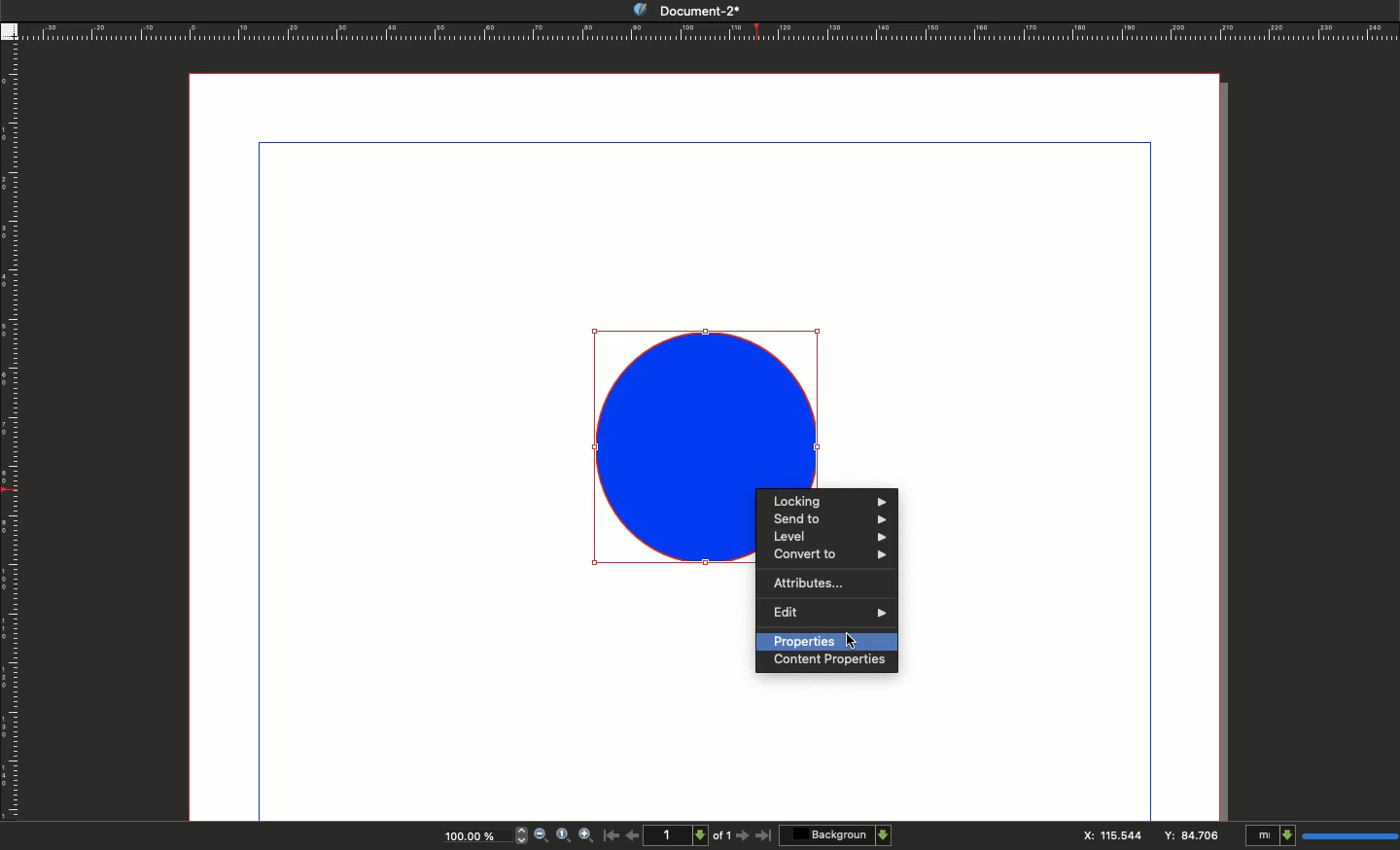 The height and width of the screenshot is (850, 1400). What do you see at coordinates (9, 31) in the screenshot?
I see `Guide` at bounding box center [9, 31].